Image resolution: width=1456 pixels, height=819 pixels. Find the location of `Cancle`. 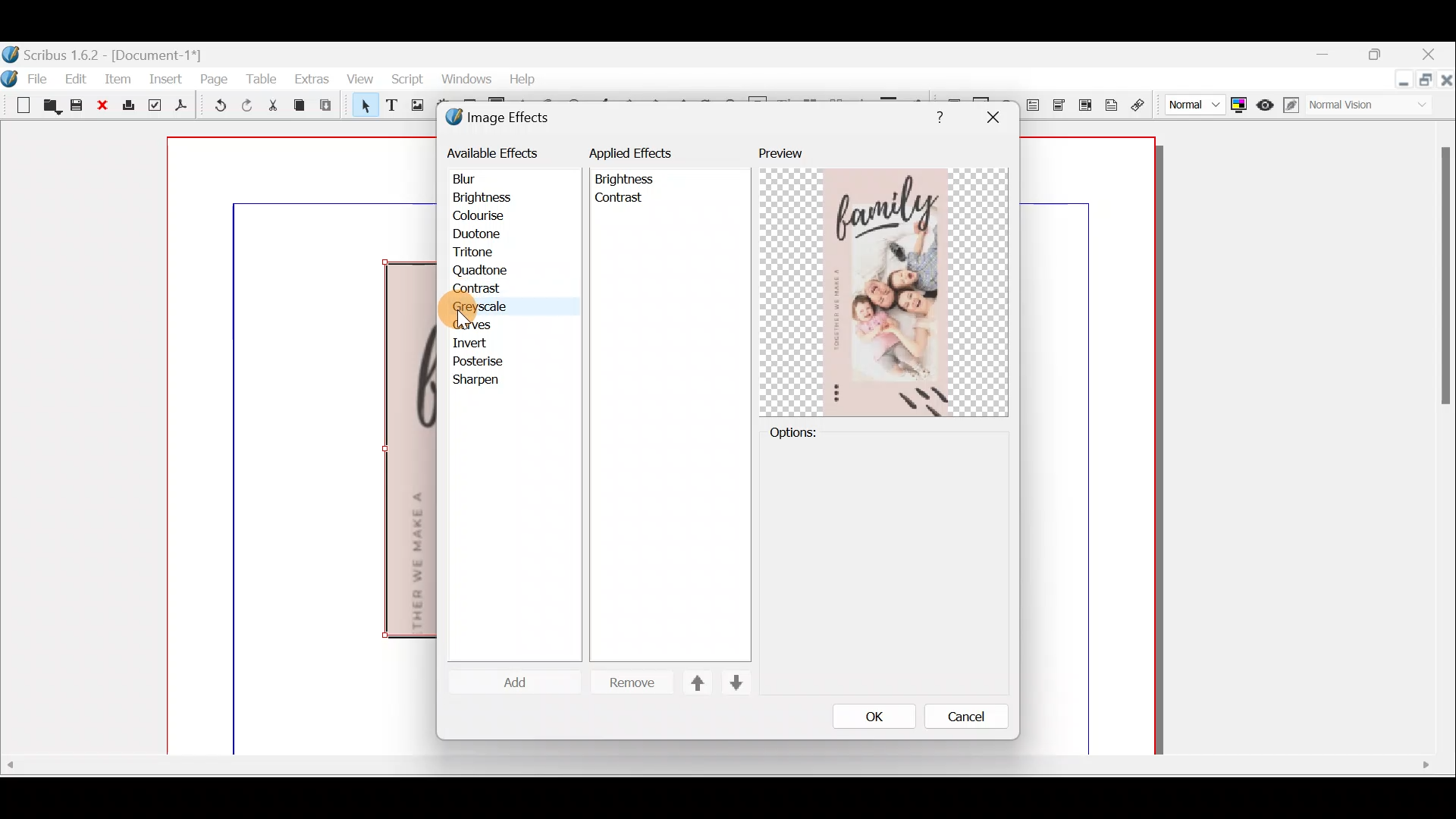

Cancle is located at coordinates (967, 718).